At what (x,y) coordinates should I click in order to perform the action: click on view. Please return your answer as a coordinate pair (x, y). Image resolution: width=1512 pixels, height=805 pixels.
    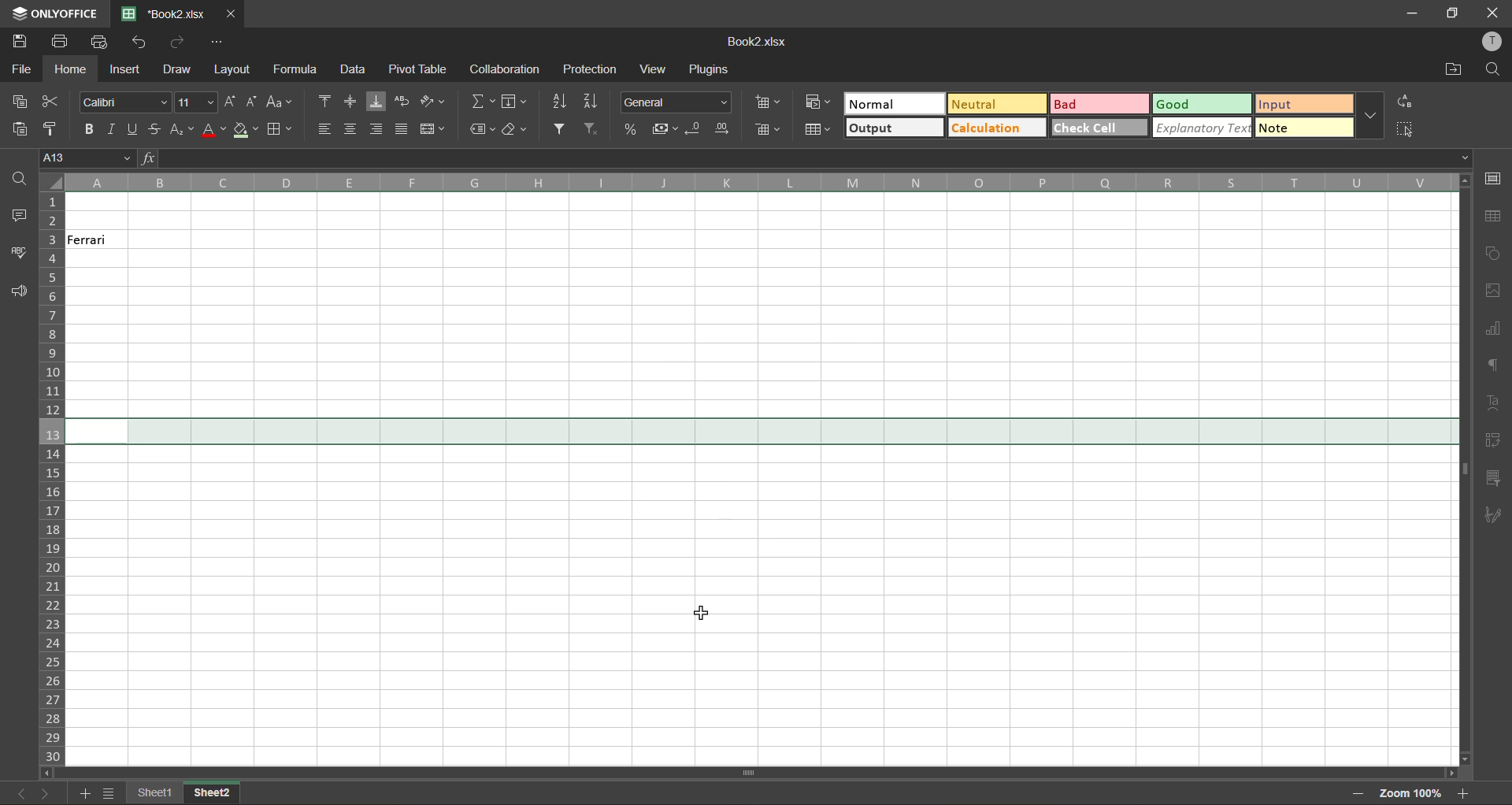
    Looking at the image, I should click on (652, 68).